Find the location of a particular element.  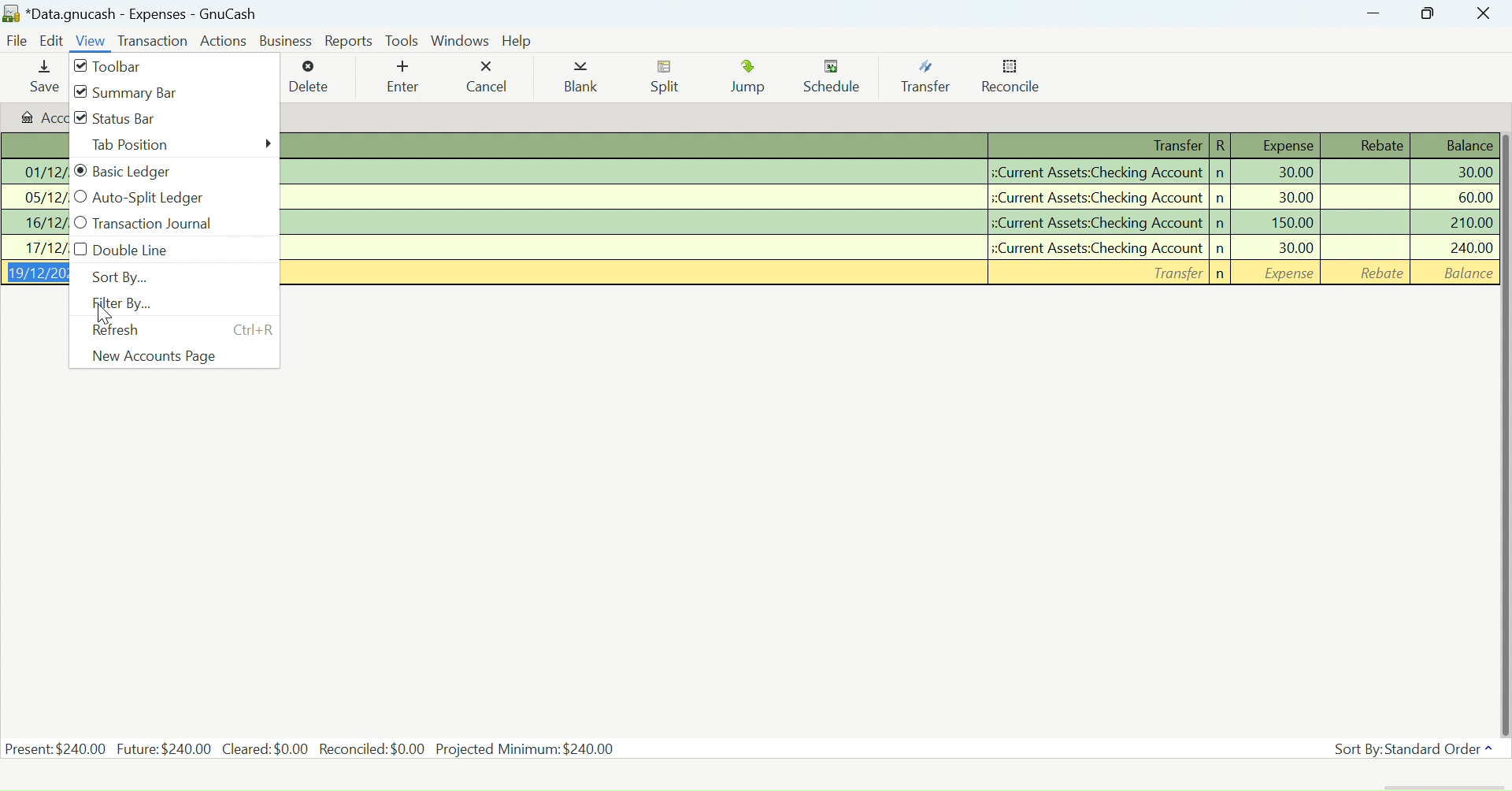

Transaction Journal is located at coordinates (164, 225).